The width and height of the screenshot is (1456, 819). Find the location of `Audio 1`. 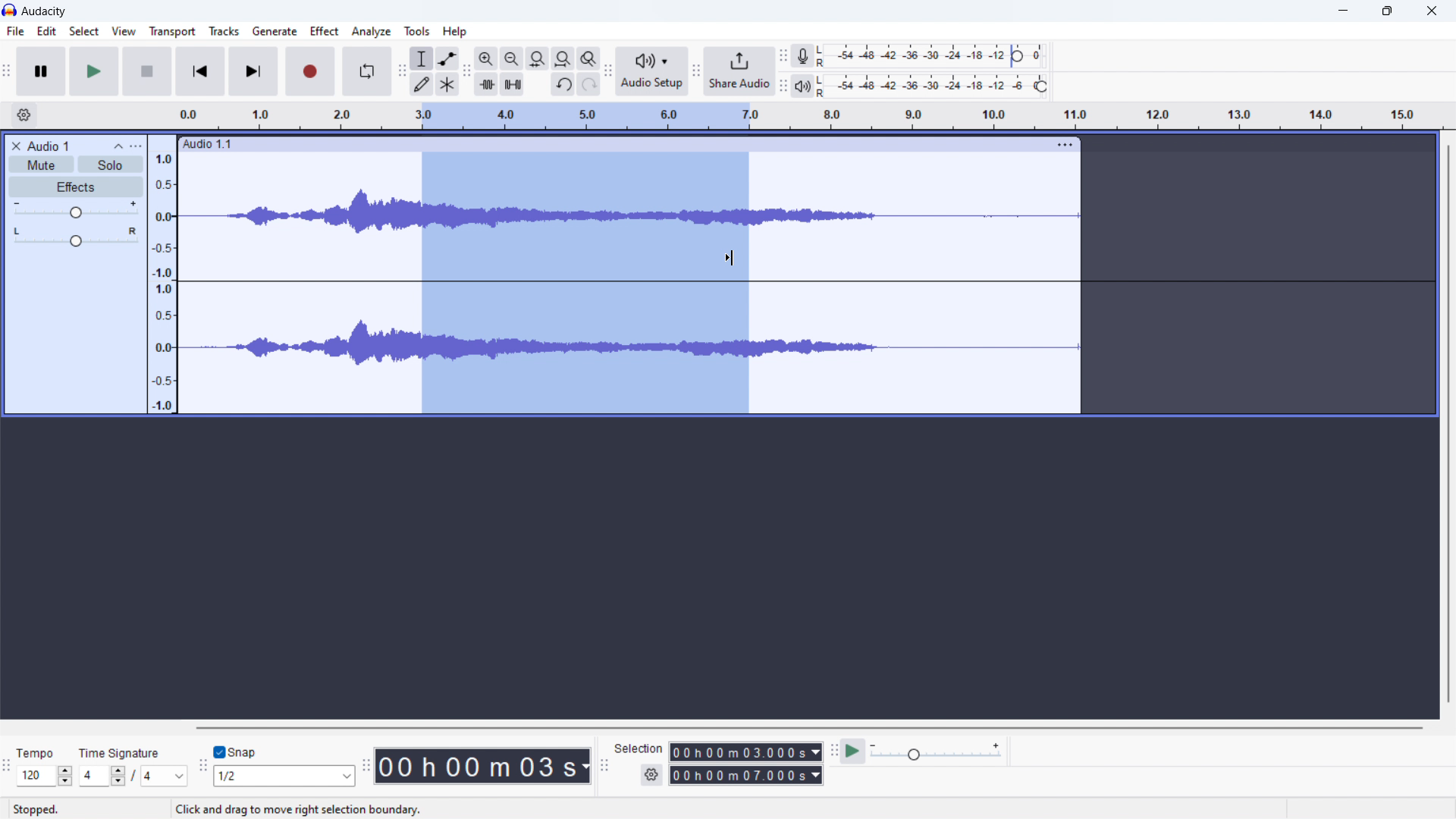

Audio 1 is located at coordinates (49, 145).